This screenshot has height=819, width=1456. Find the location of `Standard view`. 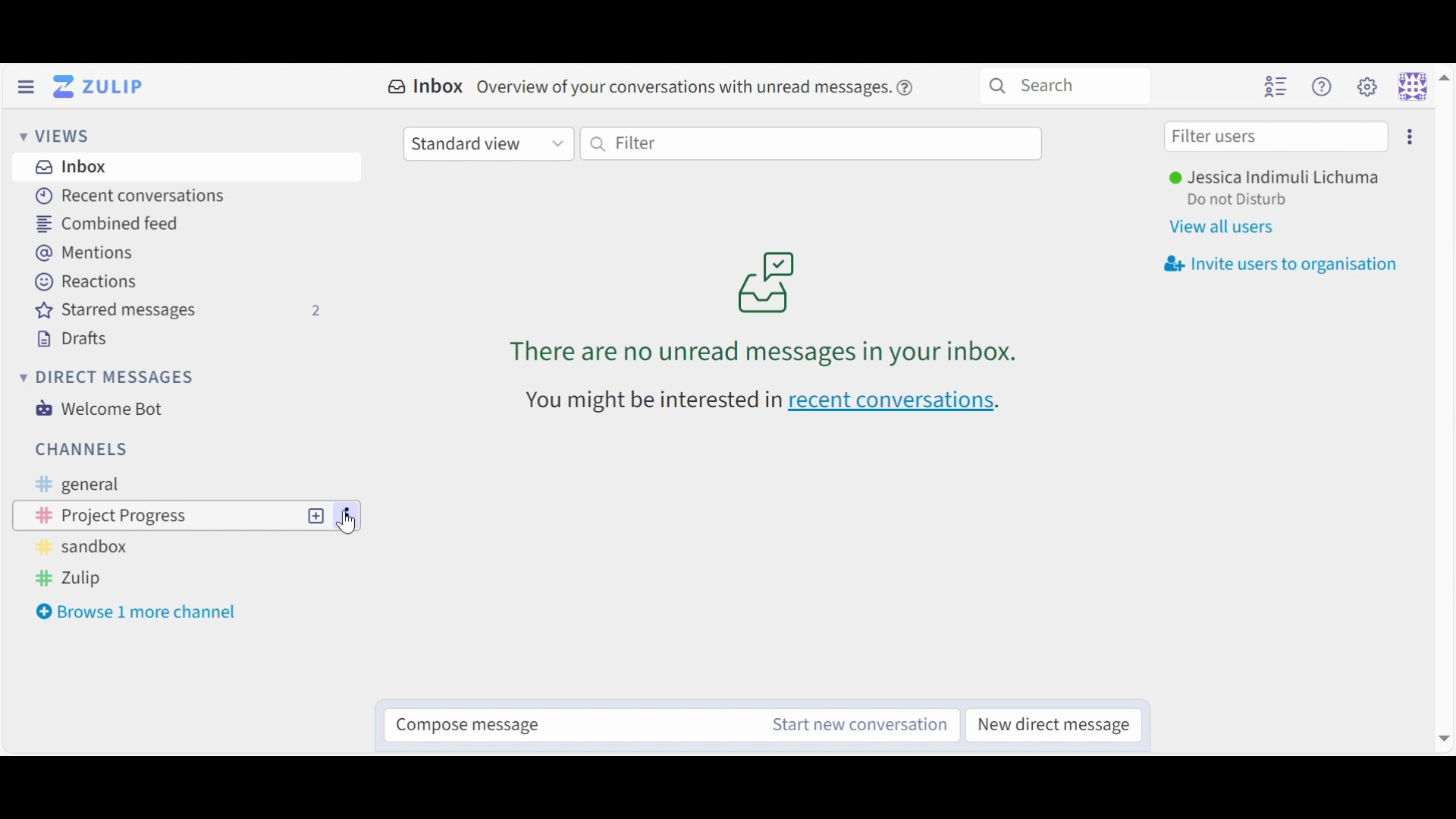

Standard view is located at coordinates (489, 144).